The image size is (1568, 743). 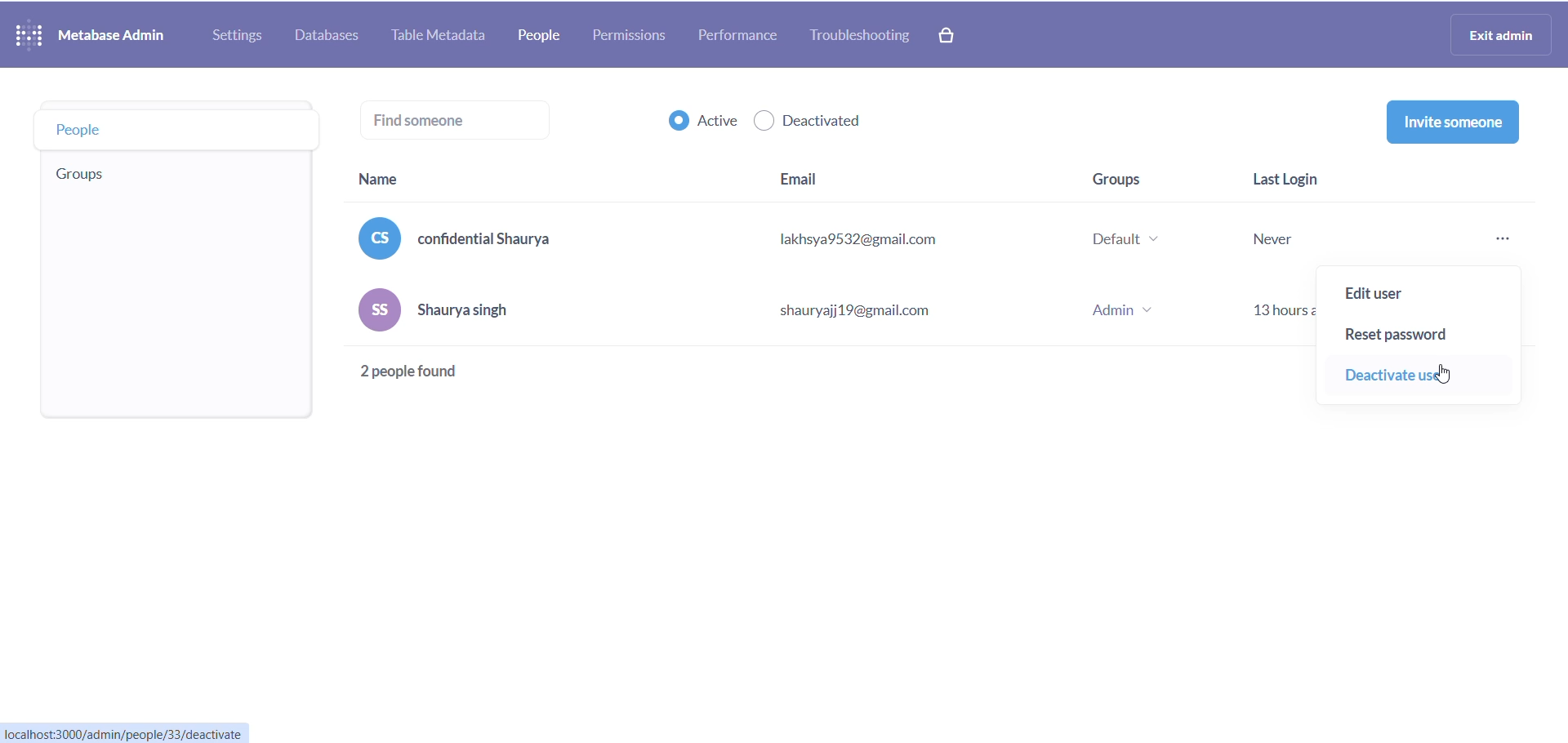 I want to click on deactivated checkbox, so click(x=819, y=121).